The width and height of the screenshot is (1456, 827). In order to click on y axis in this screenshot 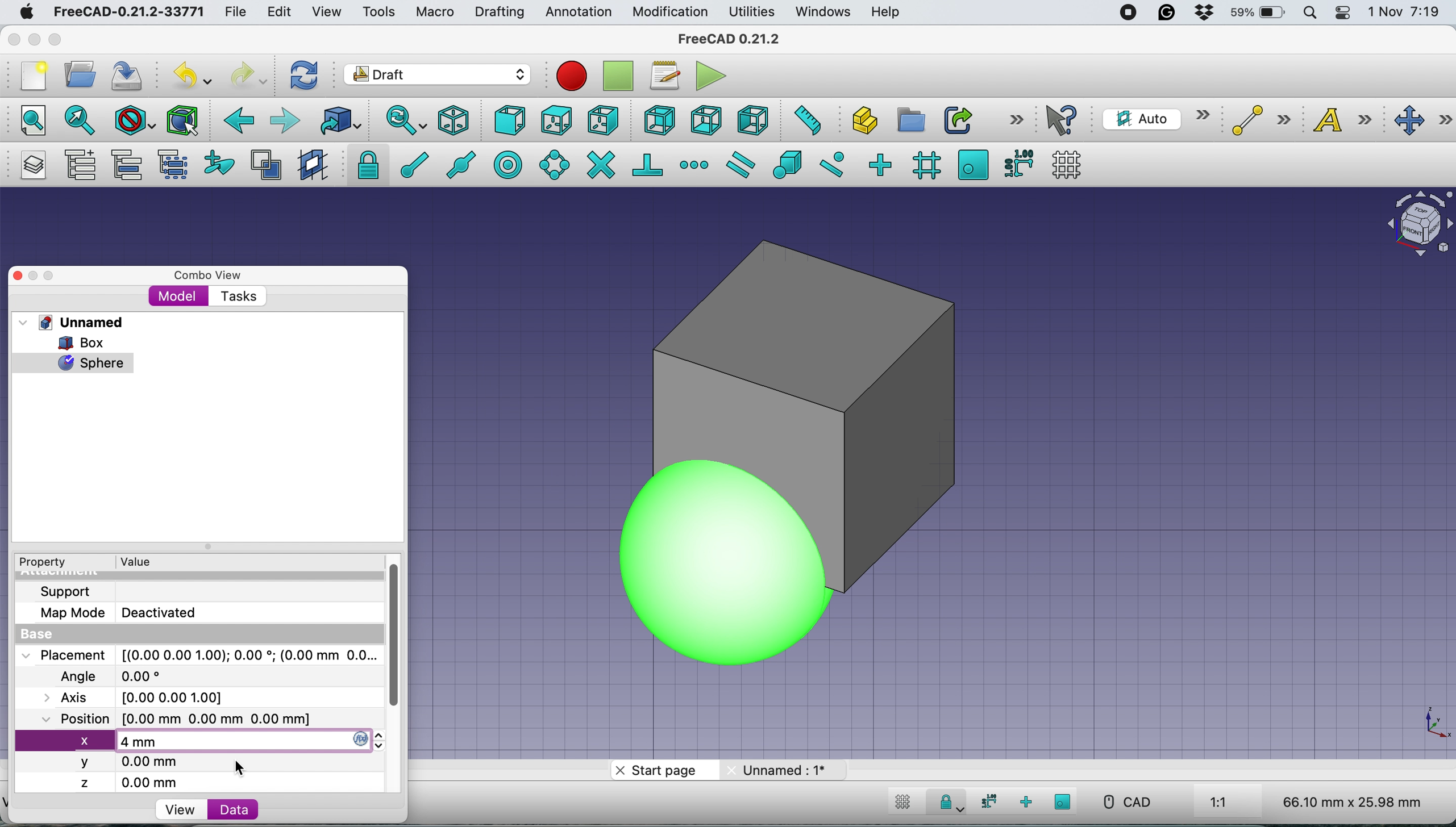, I will do `click(131, 763)`.